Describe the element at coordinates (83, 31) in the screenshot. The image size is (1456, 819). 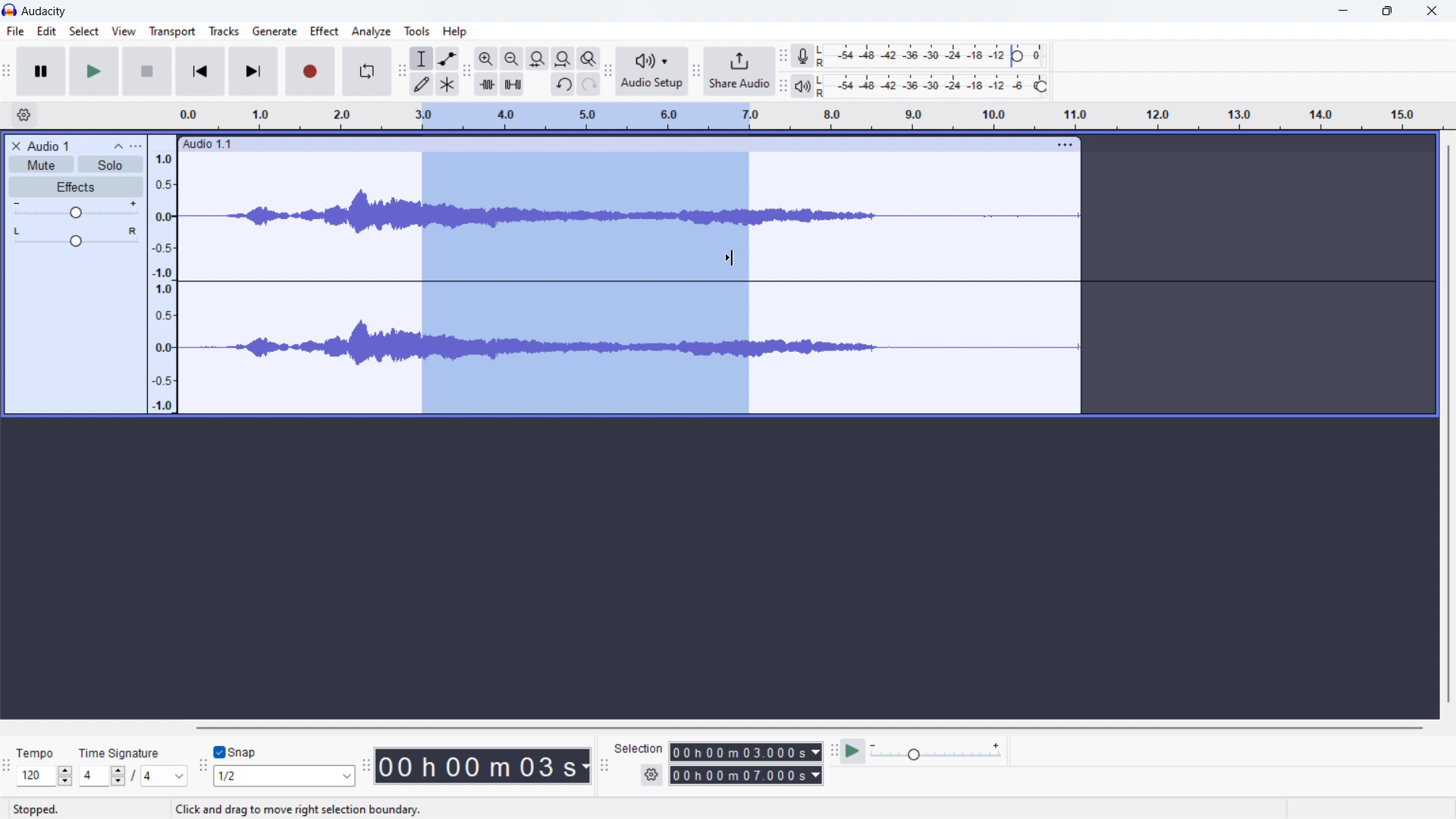
I see `select` at that location.